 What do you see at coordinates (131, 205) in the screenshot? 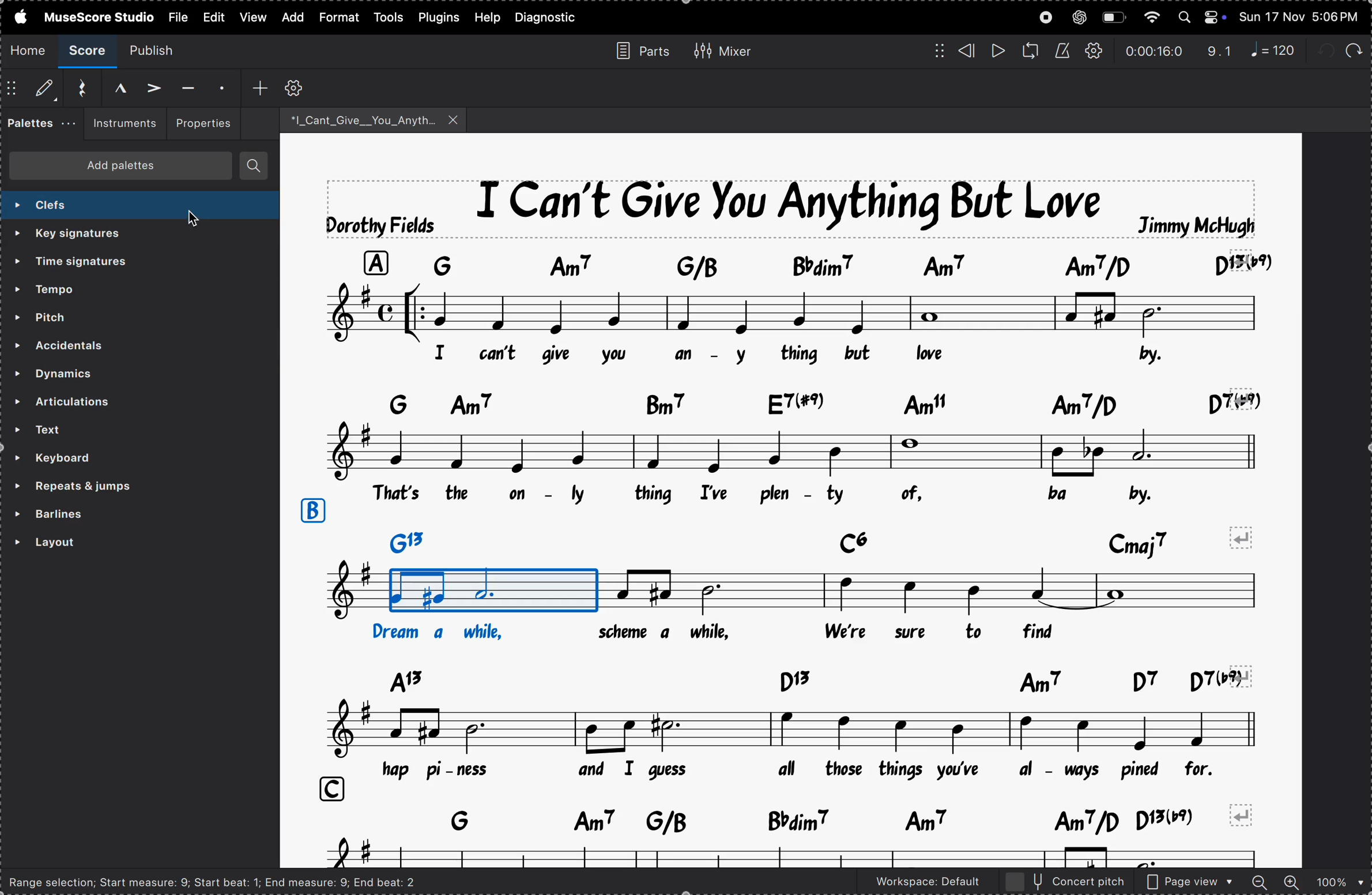
I see `selecting clef` at bounding box center [131, 205].